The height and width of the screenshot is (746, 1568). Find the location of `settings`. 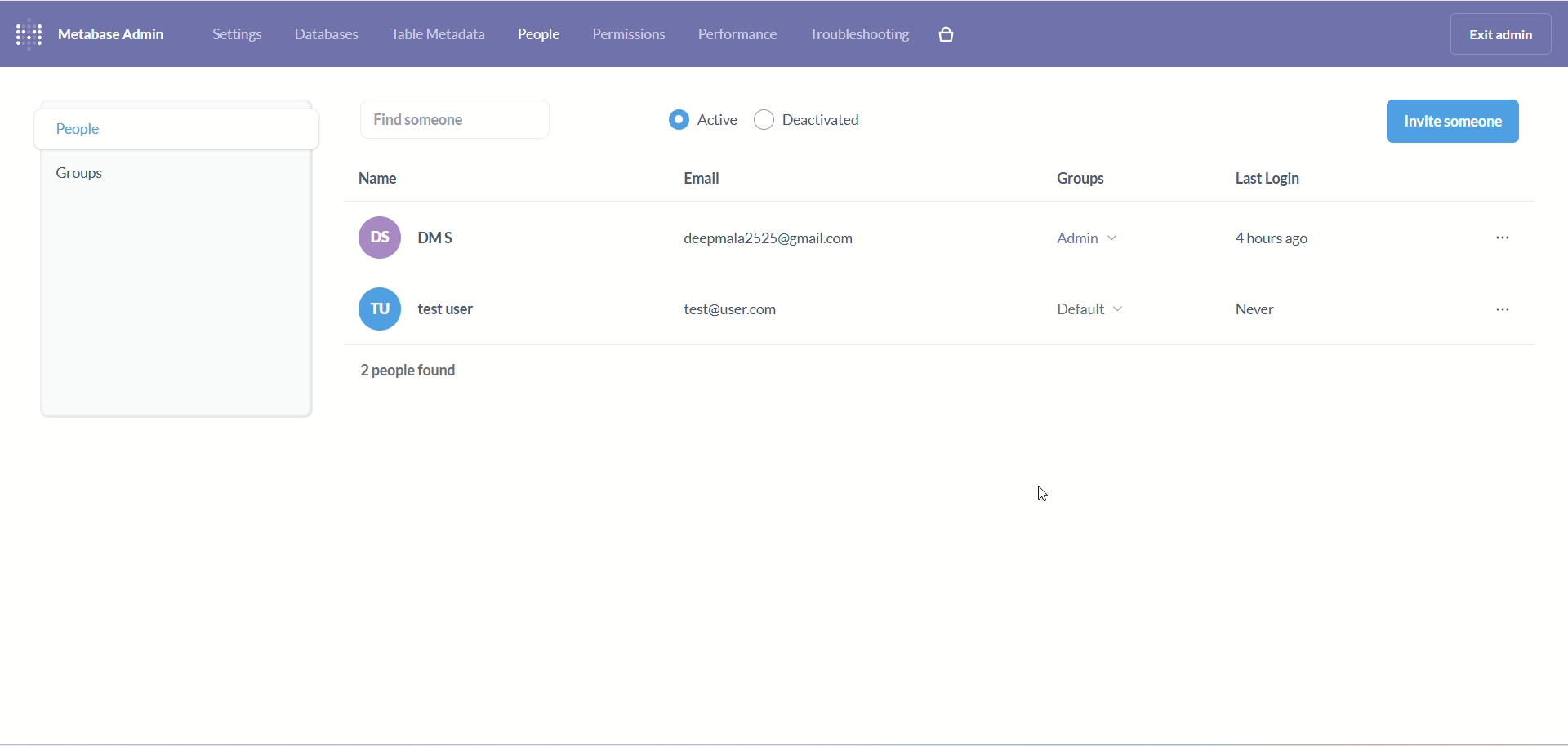

settings is located at coordinates (236, 35).